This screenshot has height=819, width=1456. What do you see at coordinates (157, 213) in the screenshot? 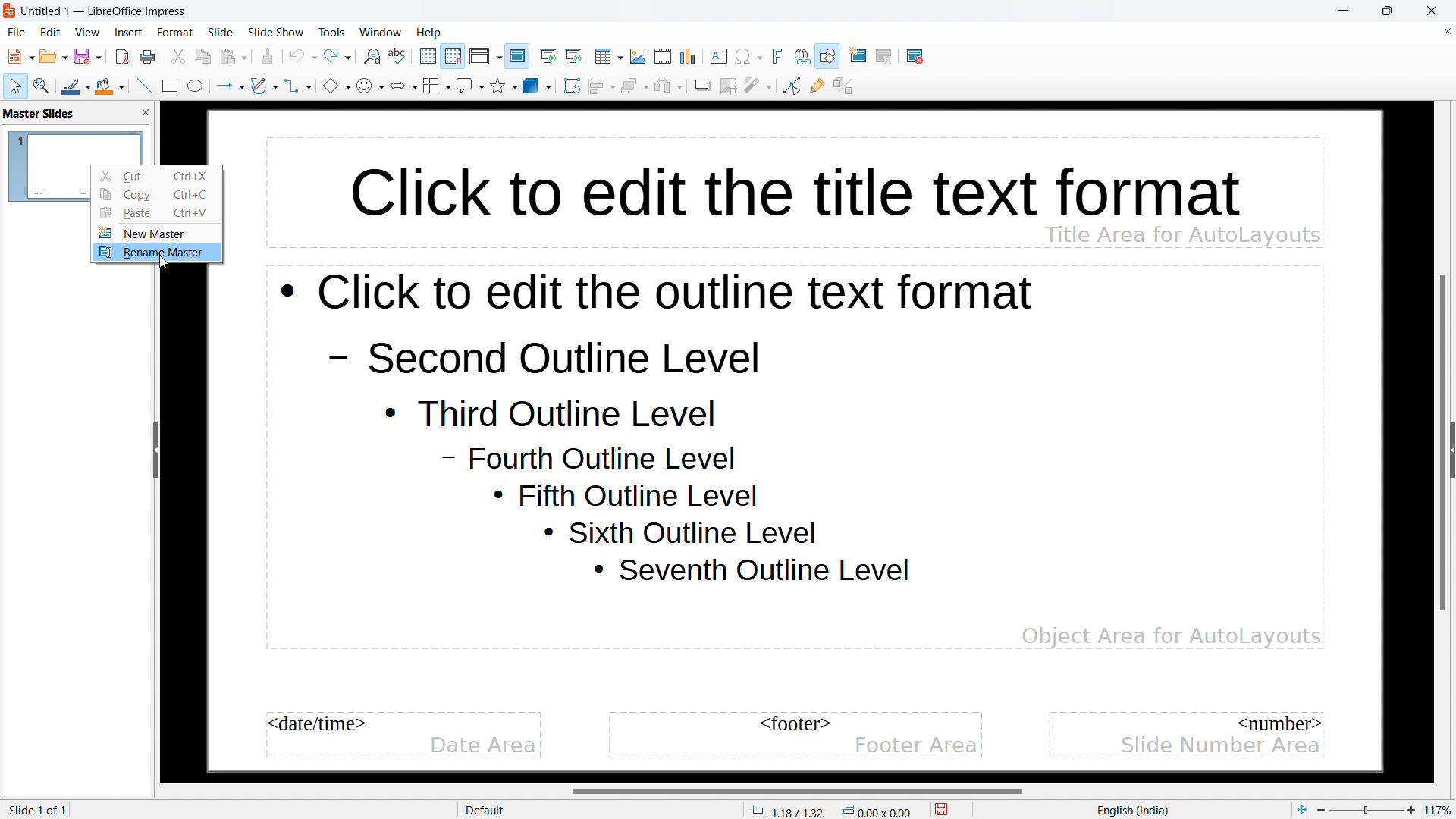
I see `paste` at bounding box center [157, 213].